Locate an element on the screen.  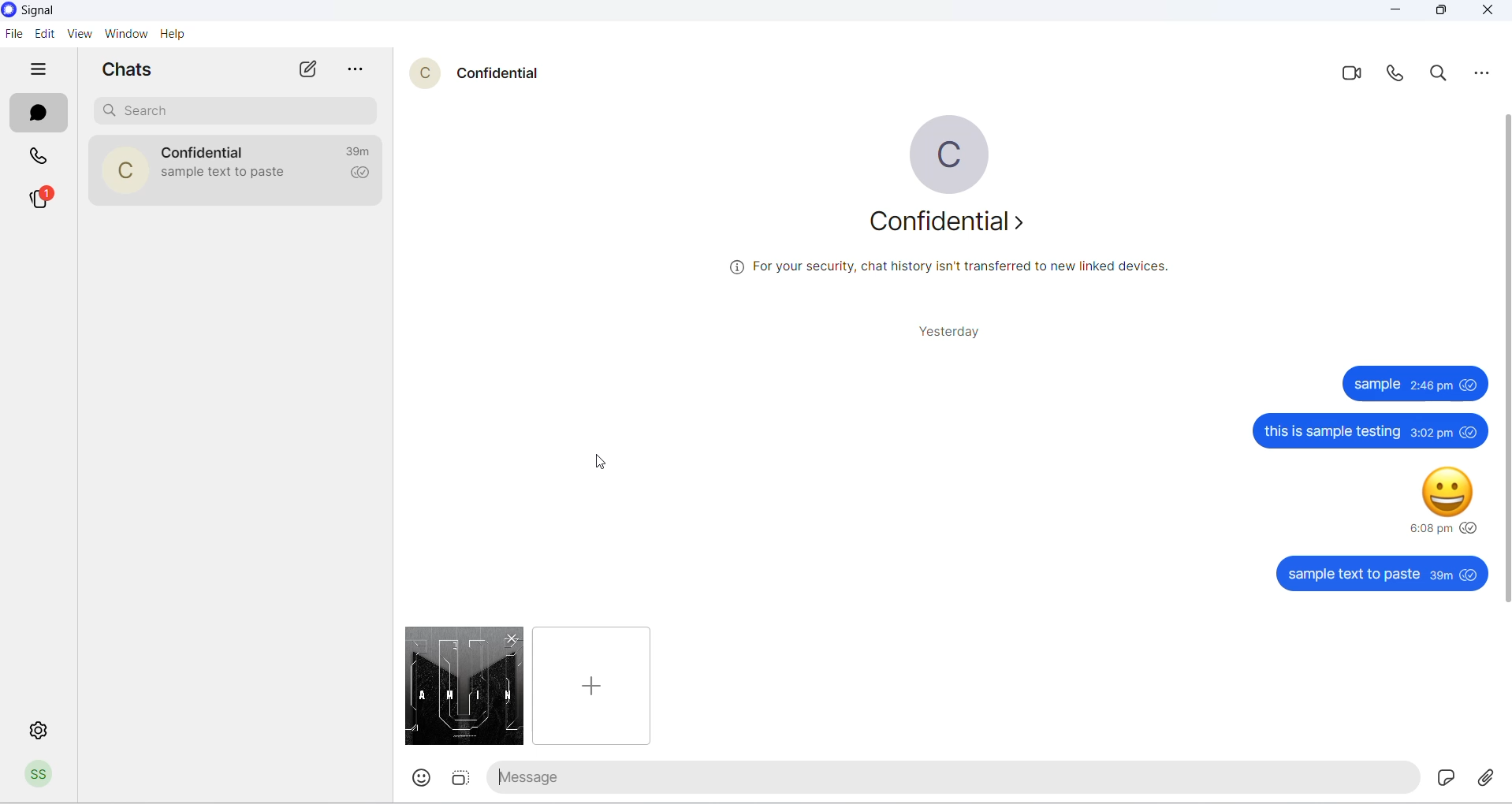
hide is located at coordinates (37, 70).